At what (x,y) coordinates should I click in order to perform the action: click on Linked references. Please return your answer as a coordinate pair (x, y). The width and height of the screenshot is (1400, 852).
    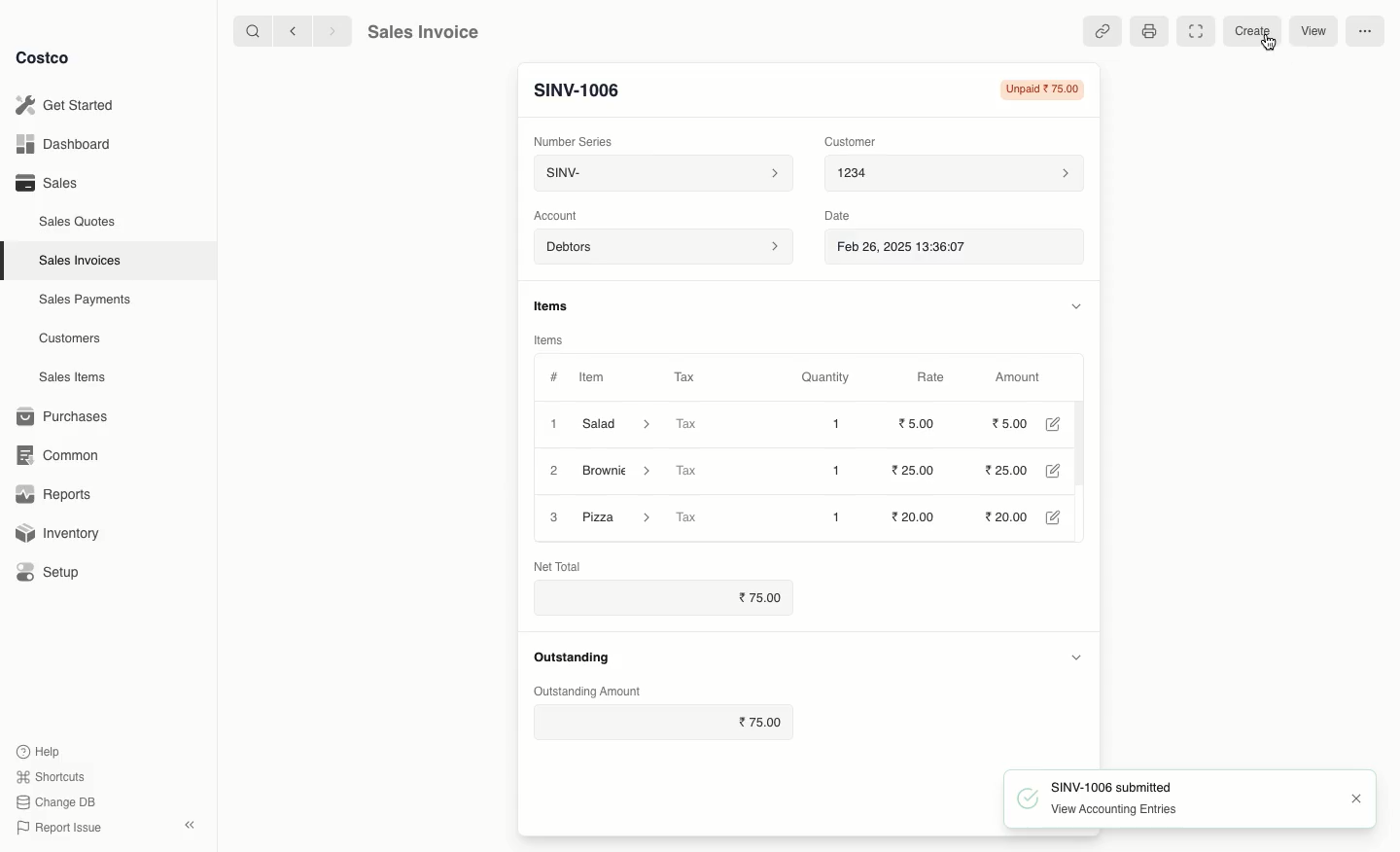
    Looking at the image, I should click on (1102, 32).